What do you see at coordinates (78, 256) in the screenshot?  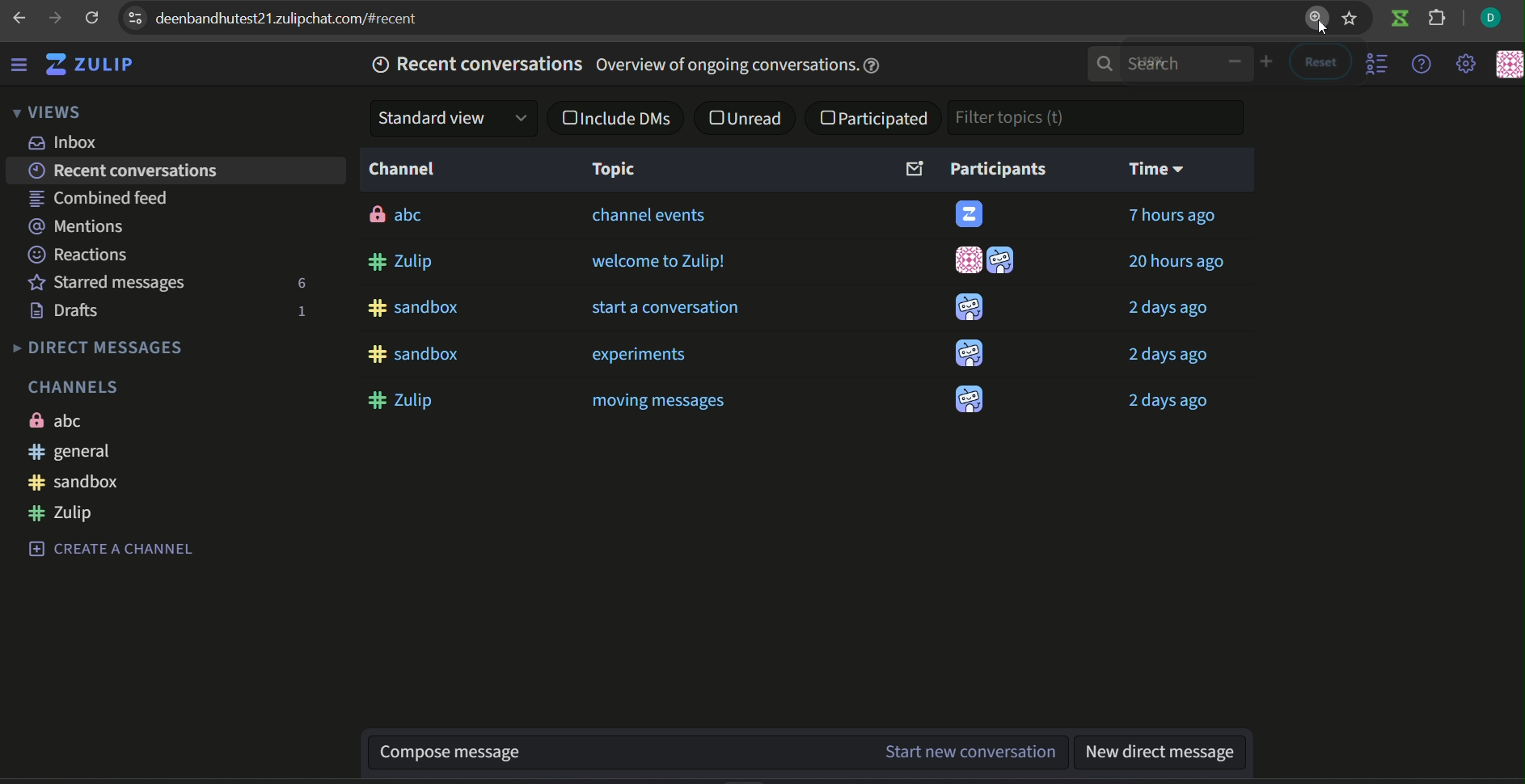 I see `reactions` at bounding box center [78, 256].